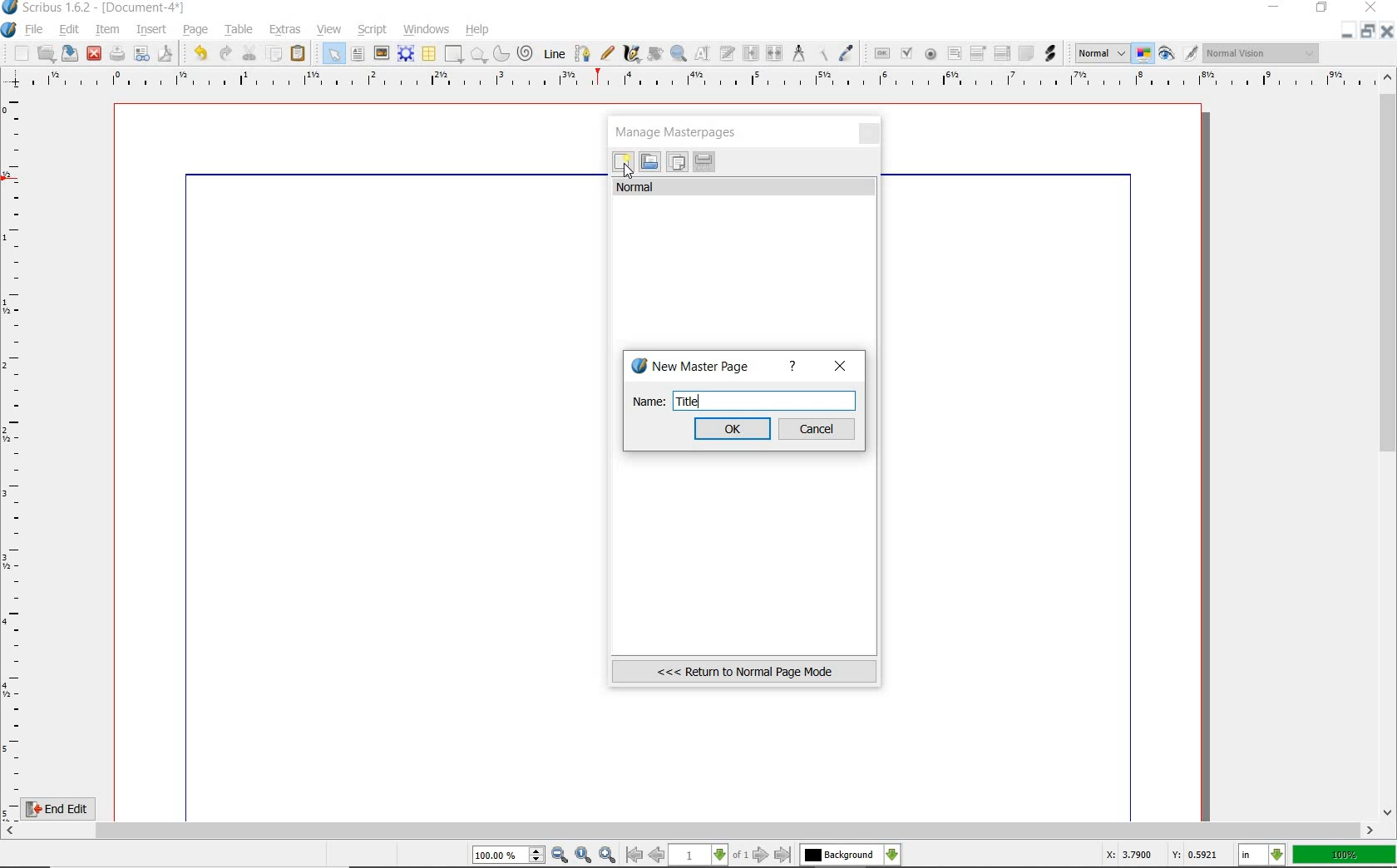  I want to click on shape, so click(454, 55).